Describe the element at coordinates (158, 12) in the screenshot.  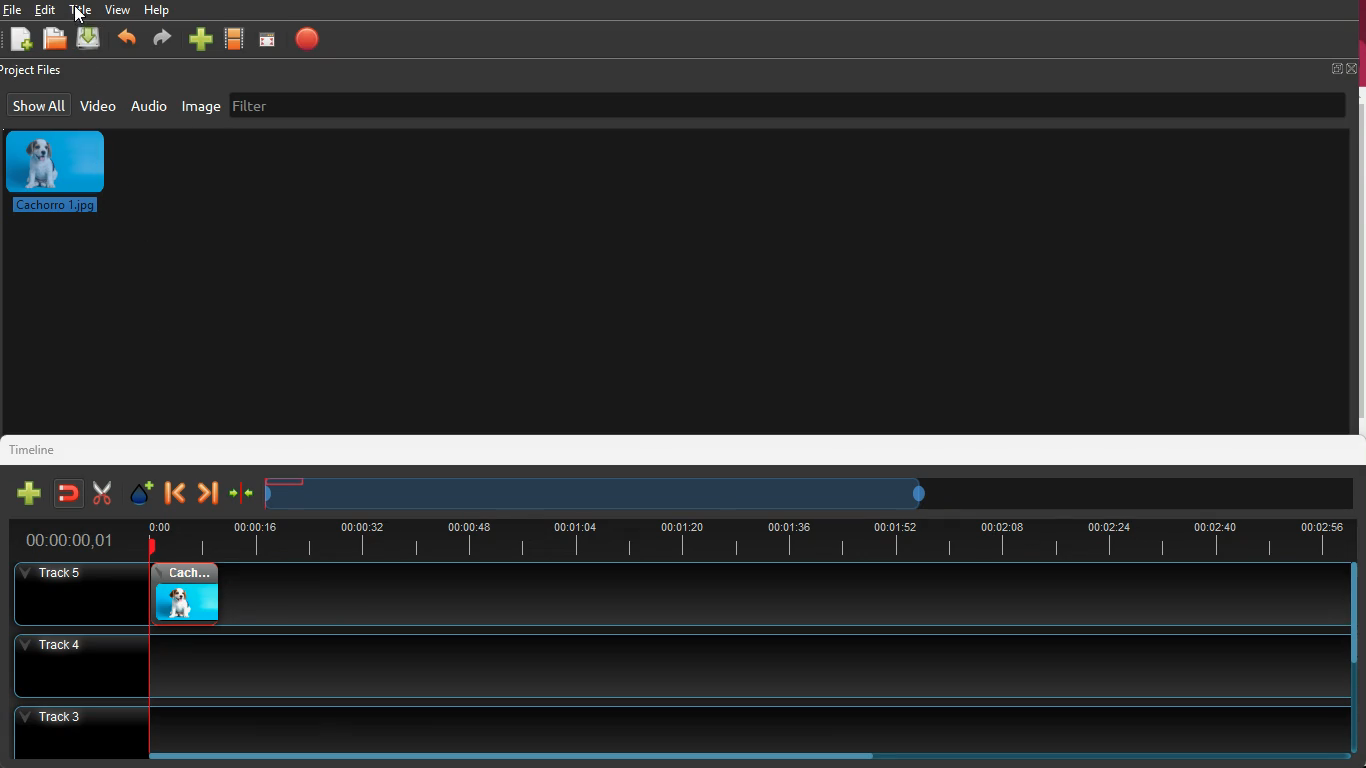
I see `help` at that location.